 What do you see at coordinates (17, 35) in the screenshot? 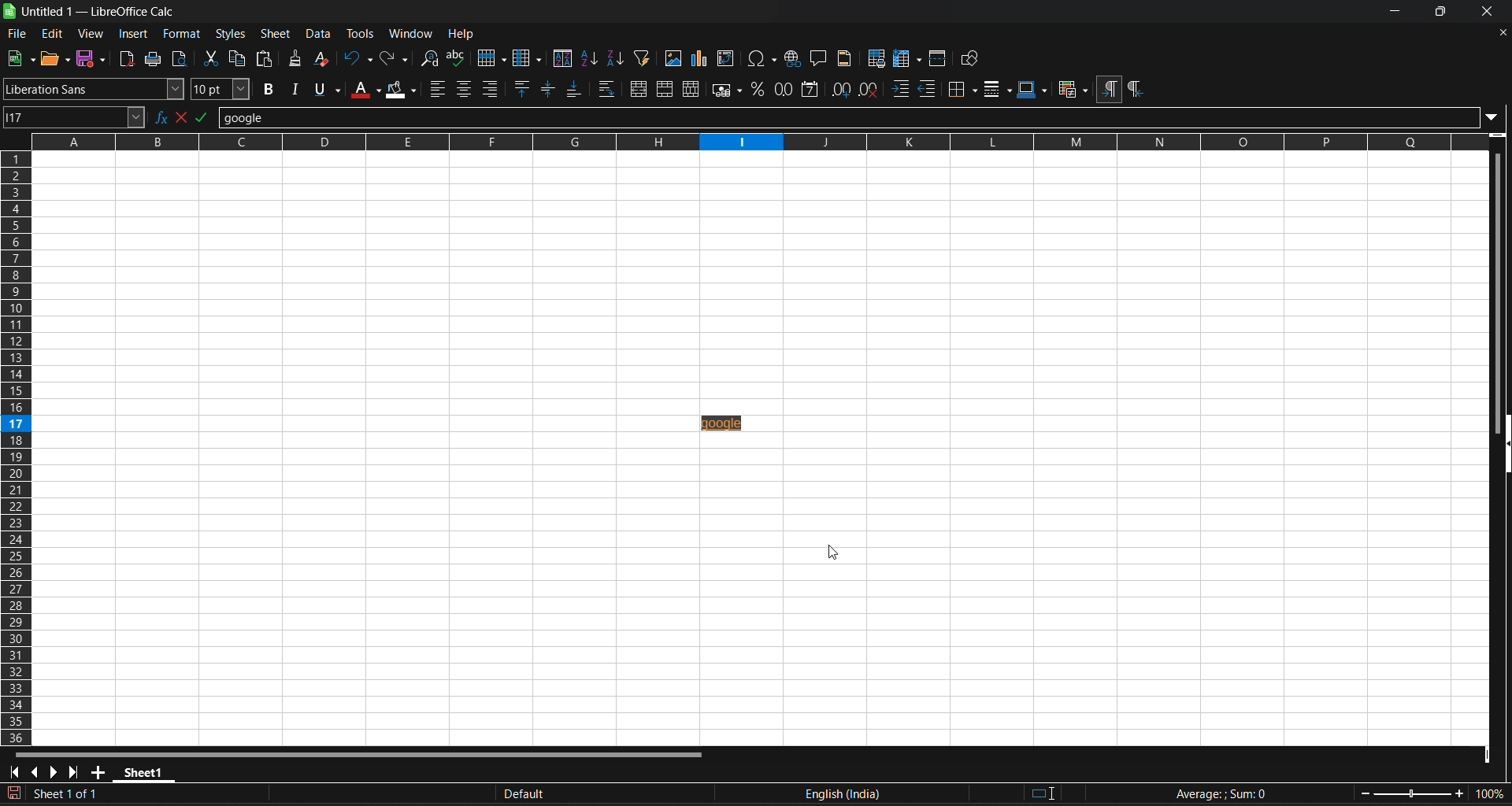
I see `file` at bounding box center [17, 35].